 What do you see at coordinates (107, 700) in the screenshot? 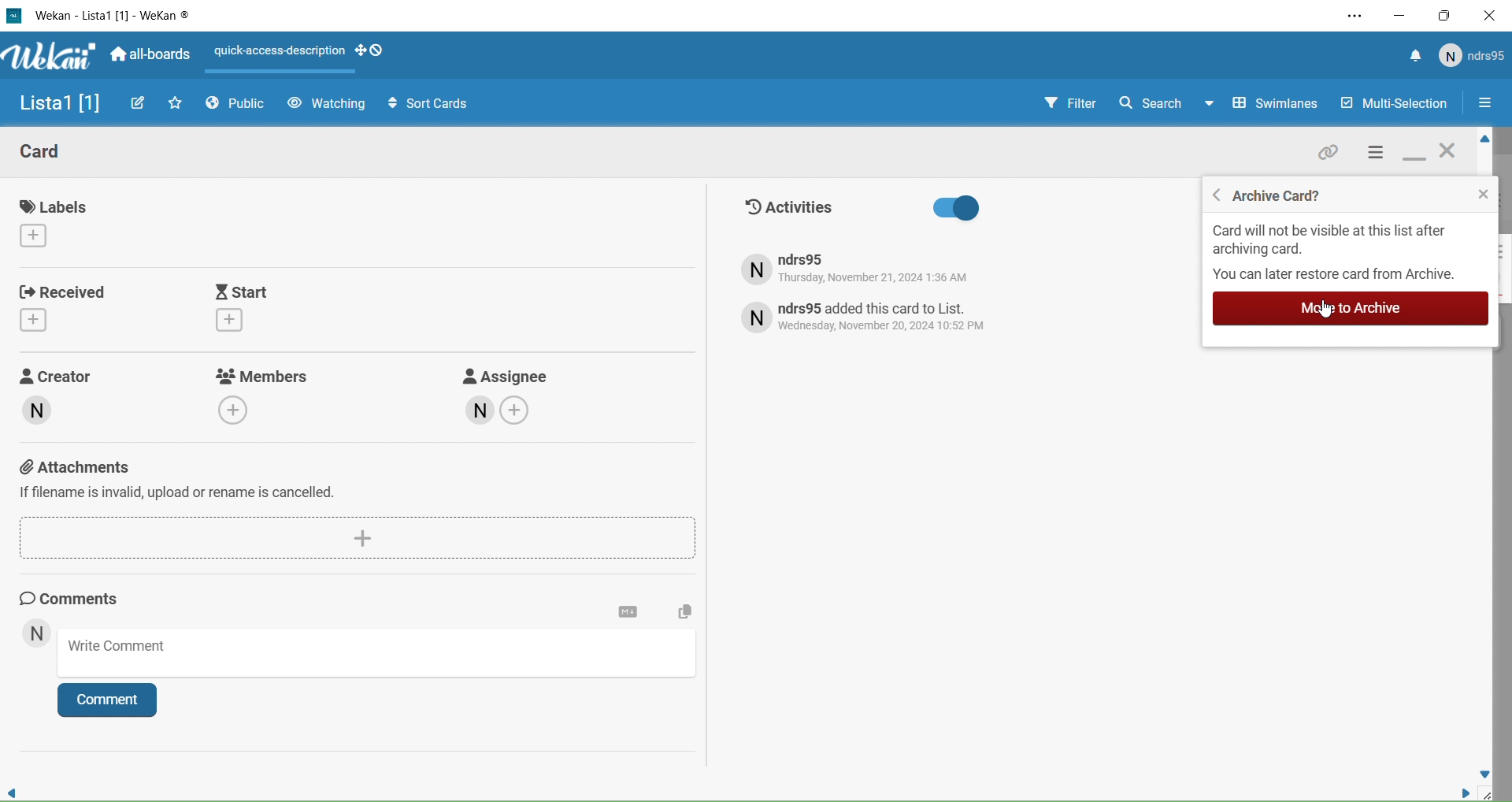
I see `Comment` at bounding box center [107, 700].